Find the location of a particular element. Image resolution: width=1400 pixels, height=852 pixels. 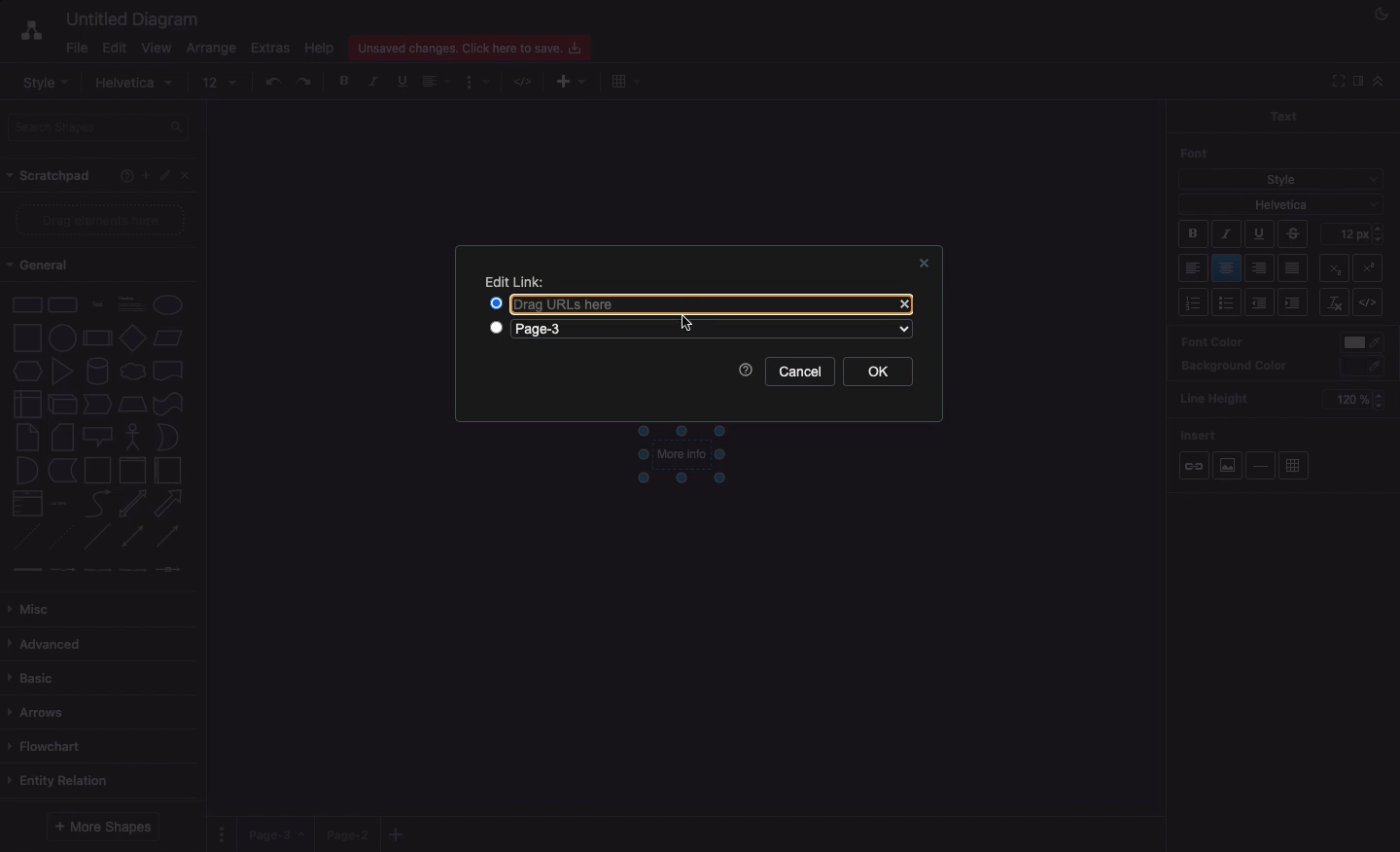

Drag URLs here is located at coordinates (695, 303).